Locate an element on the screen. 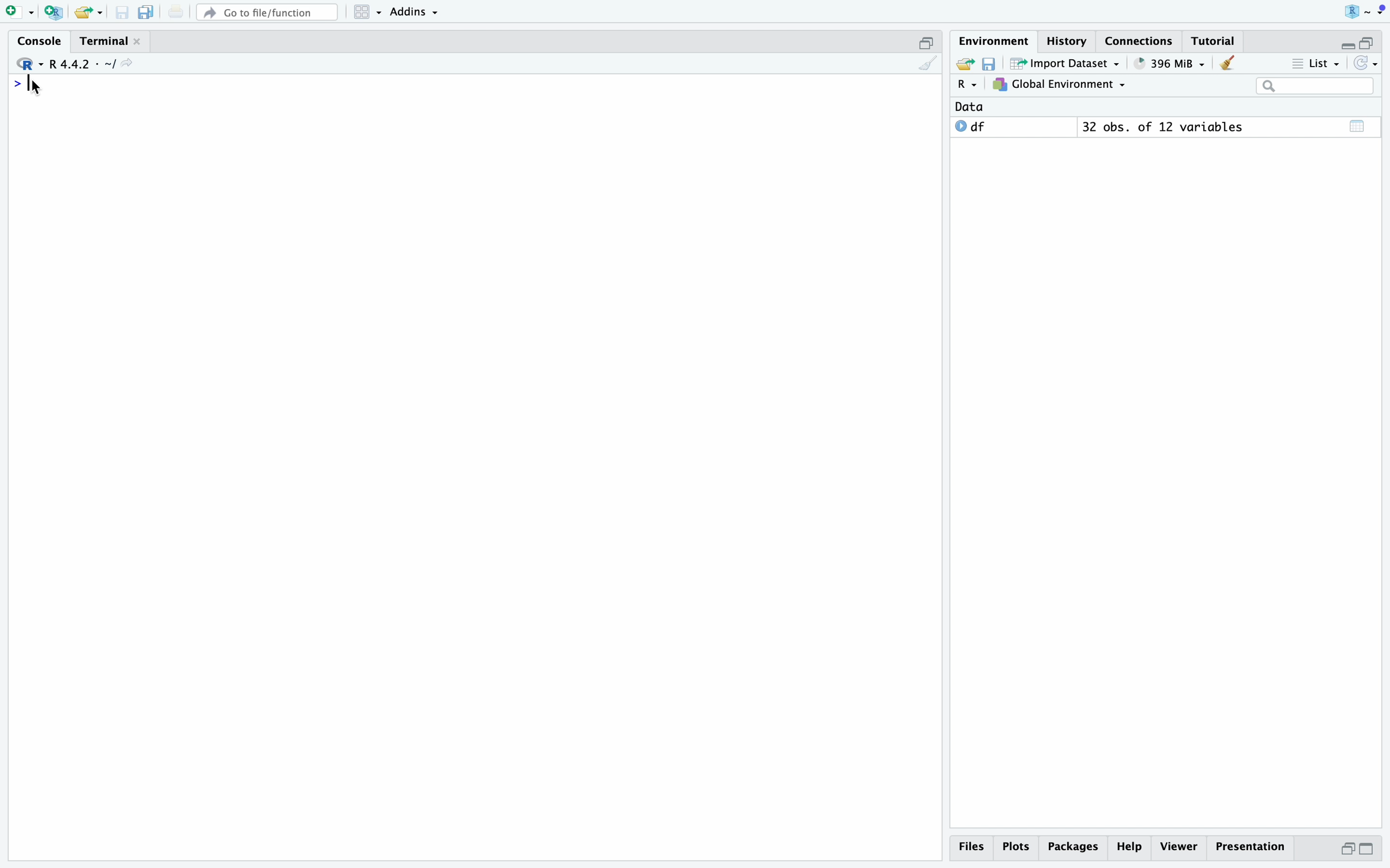 The image size is (1390, 868). share folder is located at coordinates (966, 64).